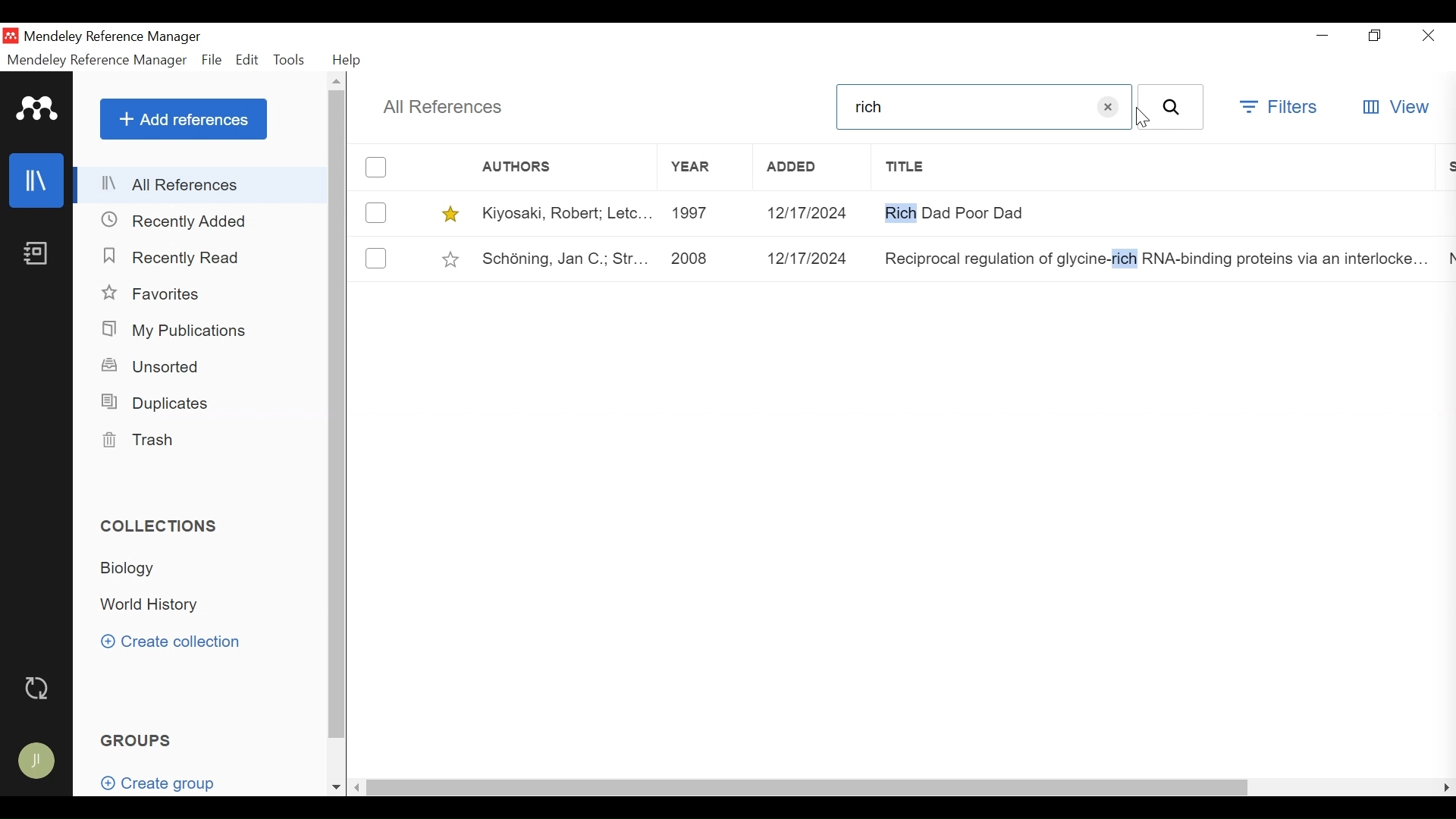 The height and width of the screenshot is (819, 1456). Describe the element at coordinates (1159, 168) in the screenshot. I see `Title` at that location.